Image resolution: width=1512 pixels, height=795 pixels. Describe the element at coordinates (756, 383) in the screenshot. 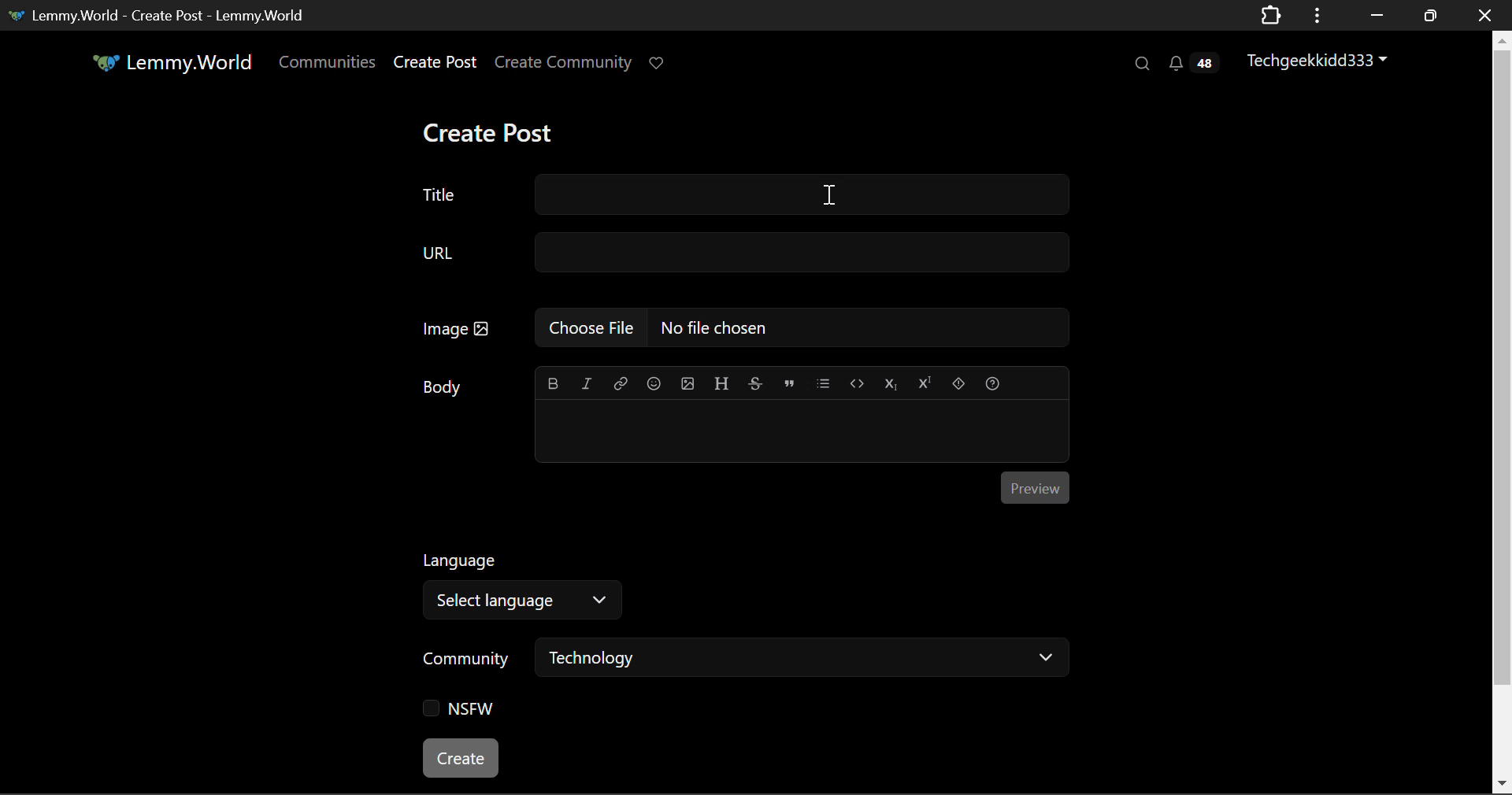

I see `strikethrough` at that location.